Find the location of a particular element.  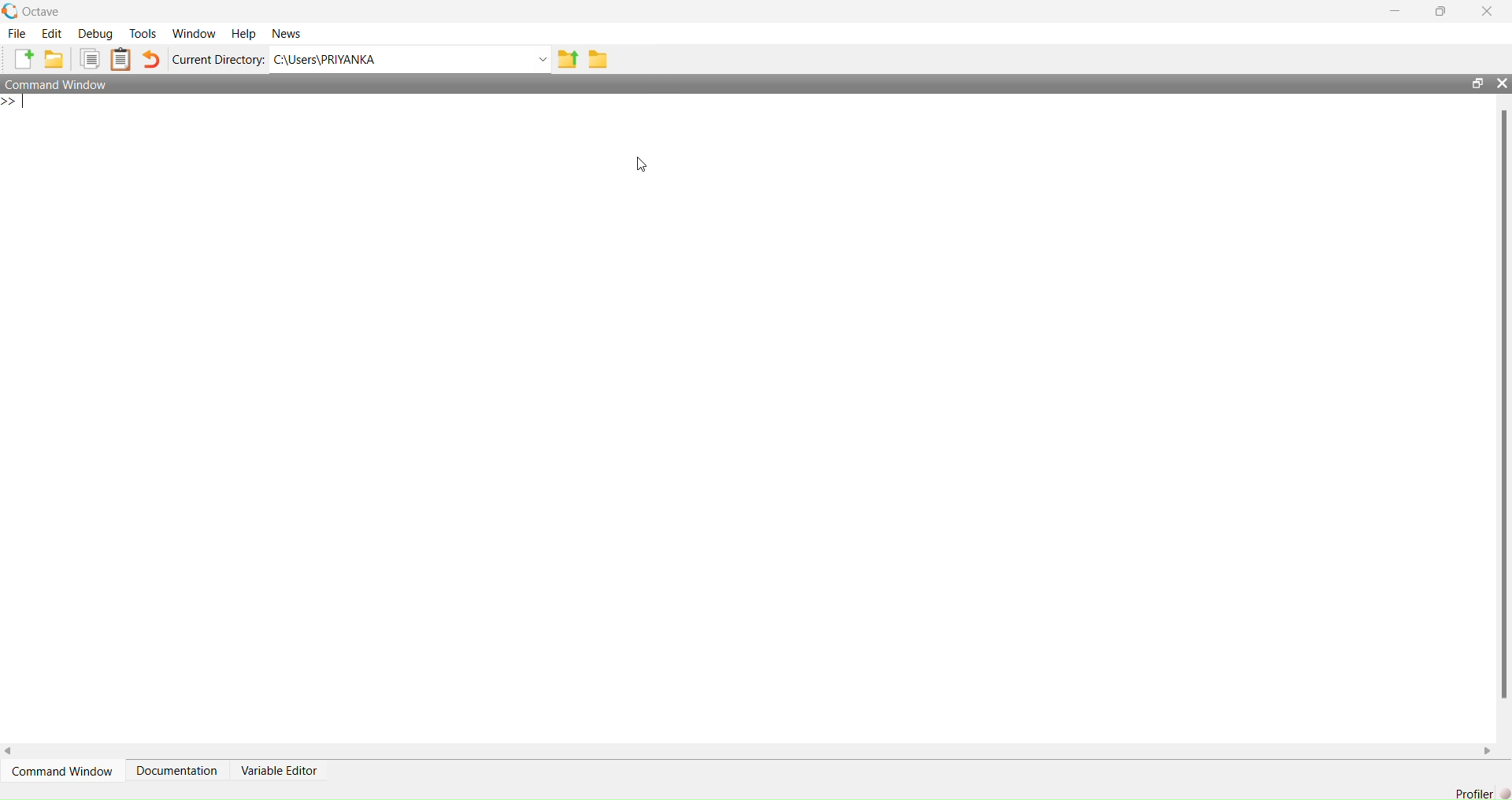

clip board is located at coordinates (120, 59).